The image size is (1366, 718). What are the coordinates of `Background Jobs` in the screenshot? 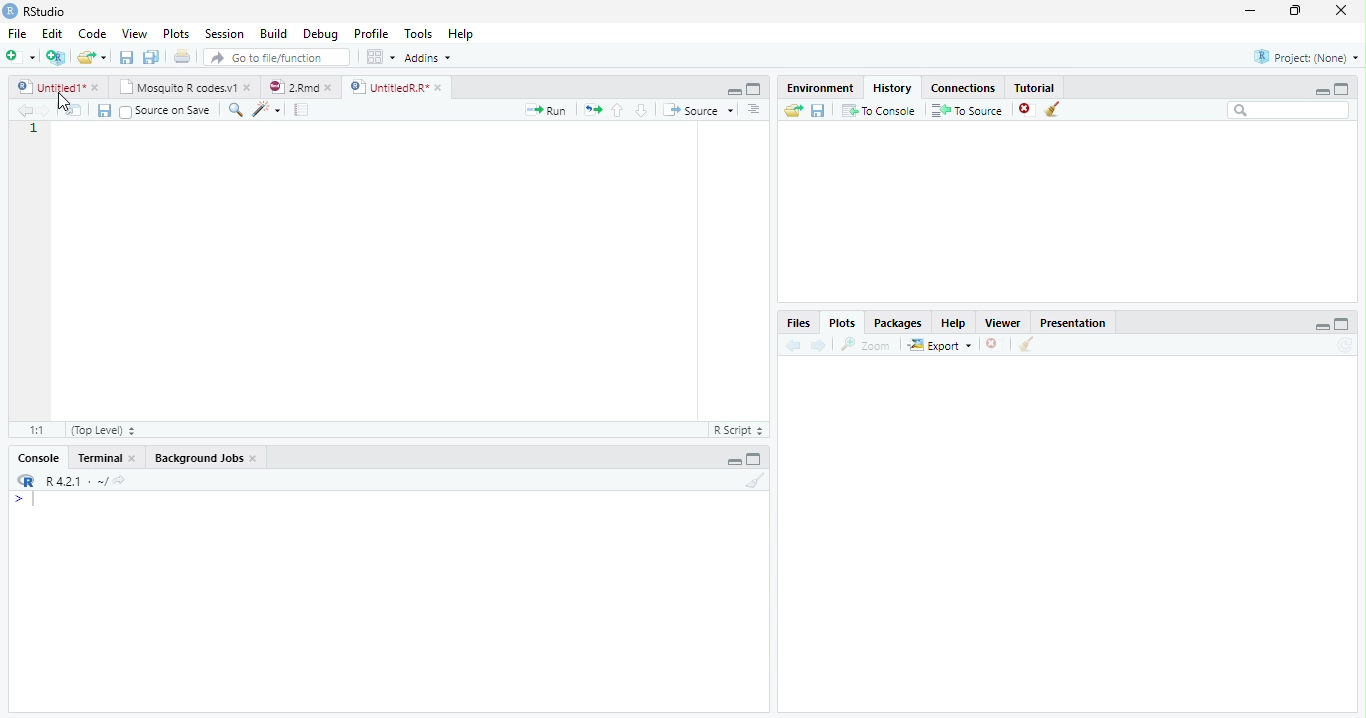 It's located at (198, 457).